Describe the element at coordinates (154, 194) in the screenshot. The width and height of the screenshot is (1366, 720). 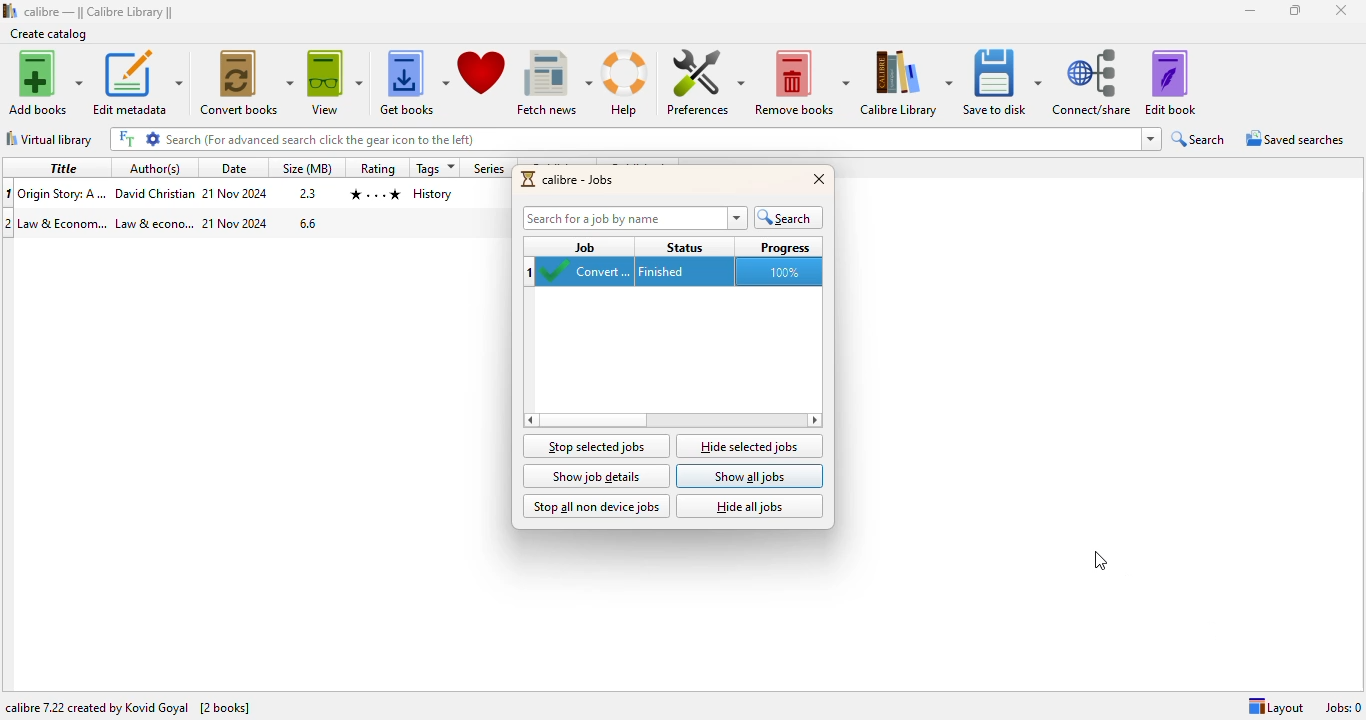
I see `author` at that location.